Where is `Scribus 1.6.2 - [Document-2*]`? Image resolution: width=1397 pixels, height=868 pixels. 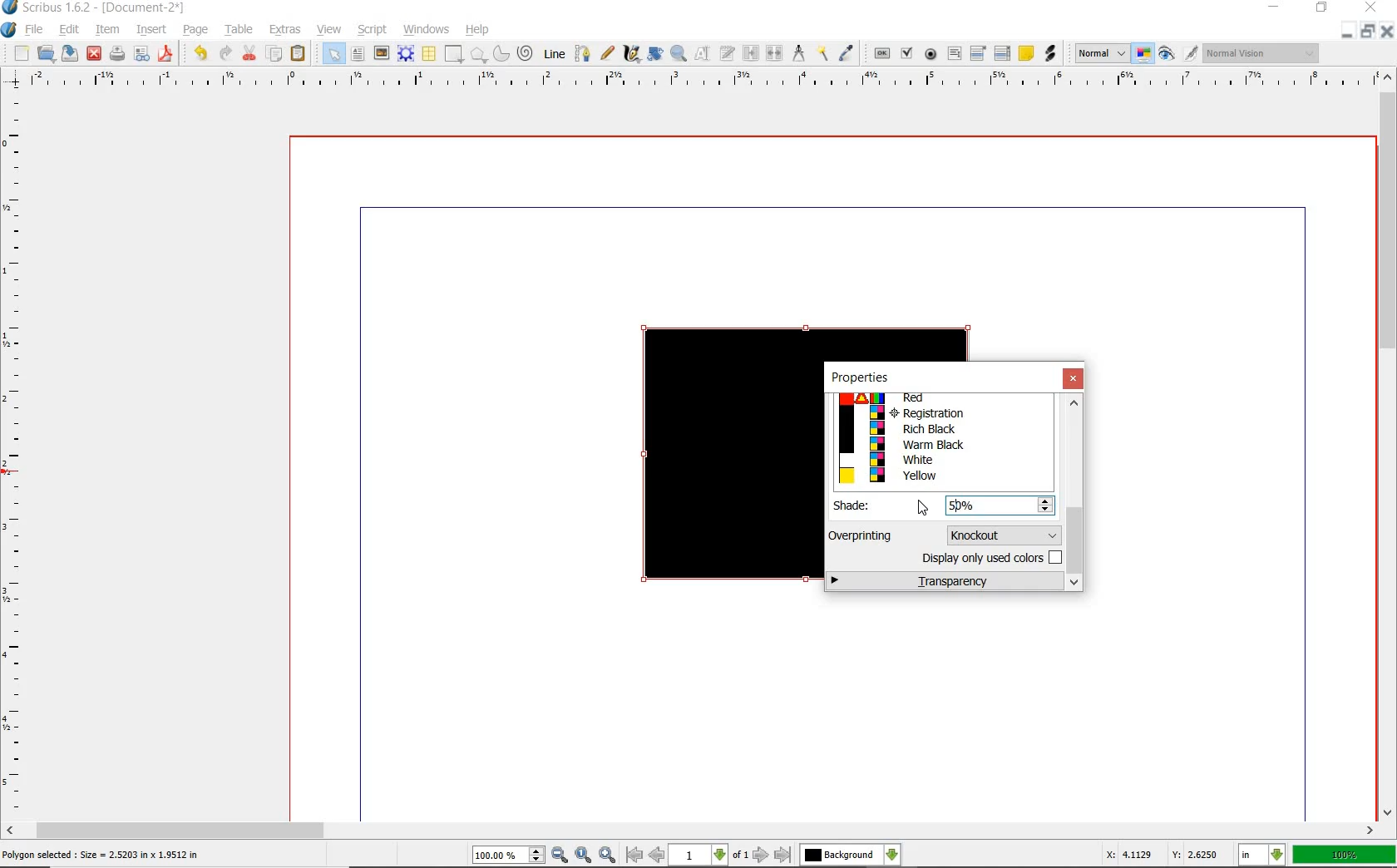 Scribus 1.6.2 - [Document-2*] is located at coordinates (96, 8).